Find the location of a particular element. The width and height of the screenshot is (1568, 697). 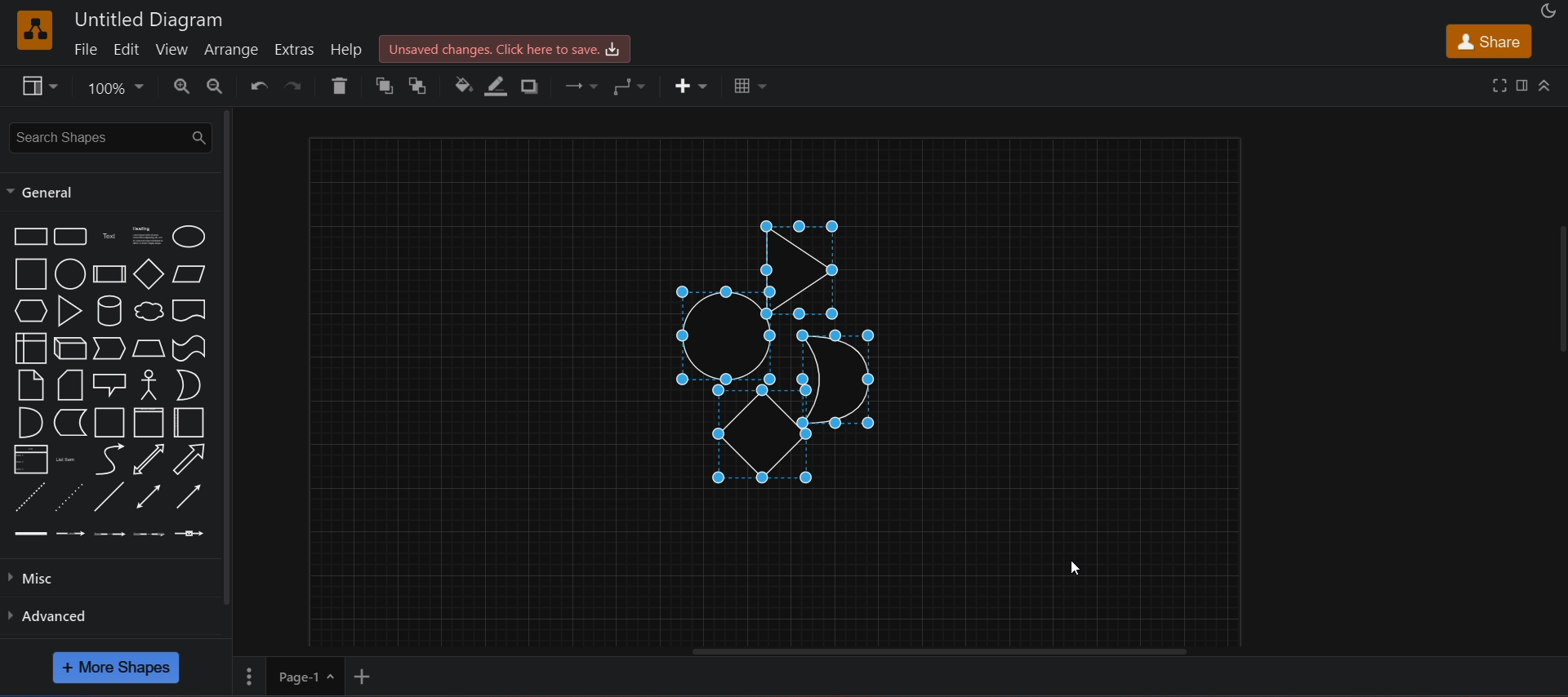

help is located at coordinates (346, 50).